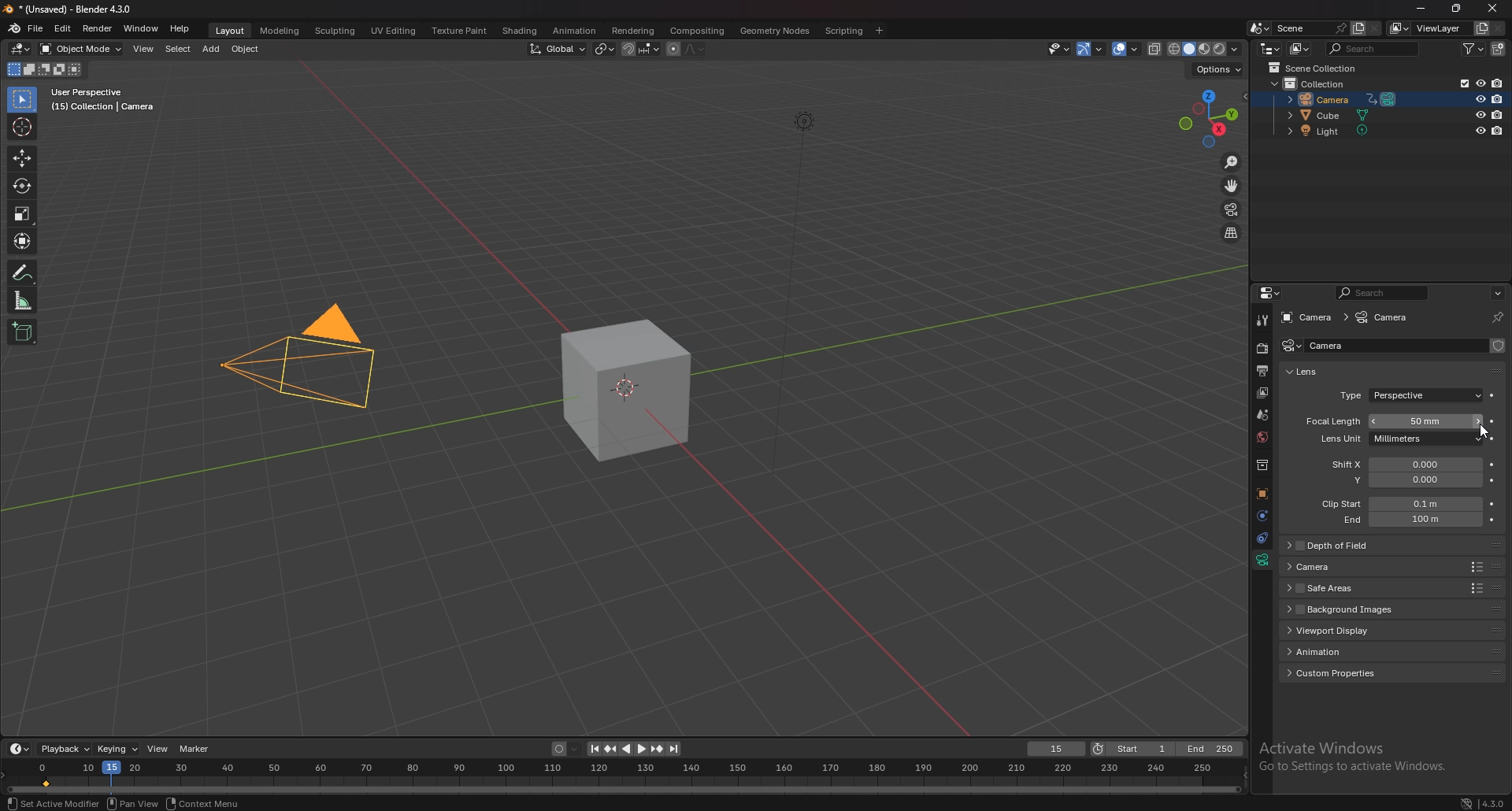 The image size is (1512, 811). What do you see at coordinates (143, 48) in the screenshot?
I see `view` at bounding box center [143, 48].